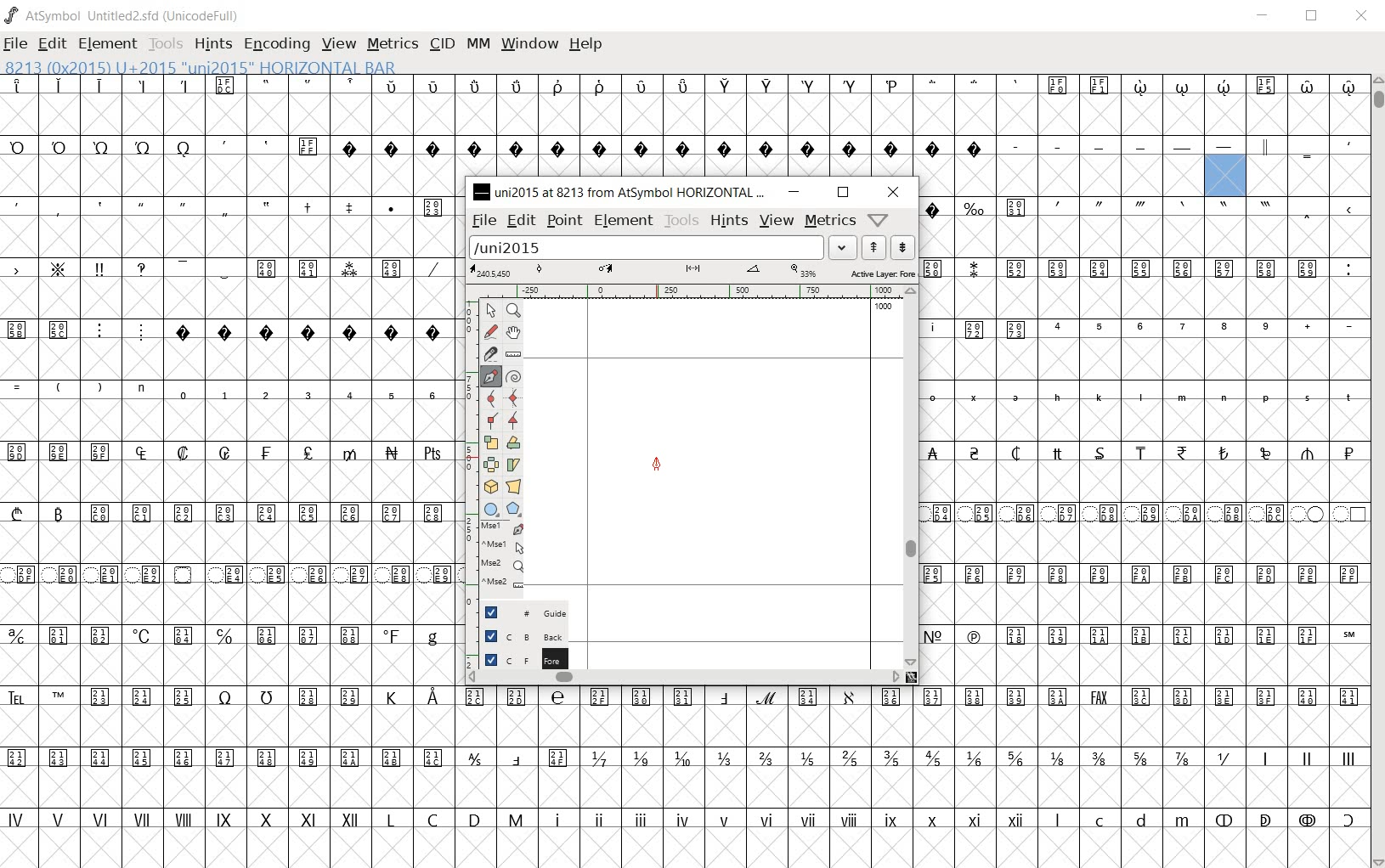 The height and width of the screenshot is (868, 1385). I want to click on Foreground, so click(516, 658).